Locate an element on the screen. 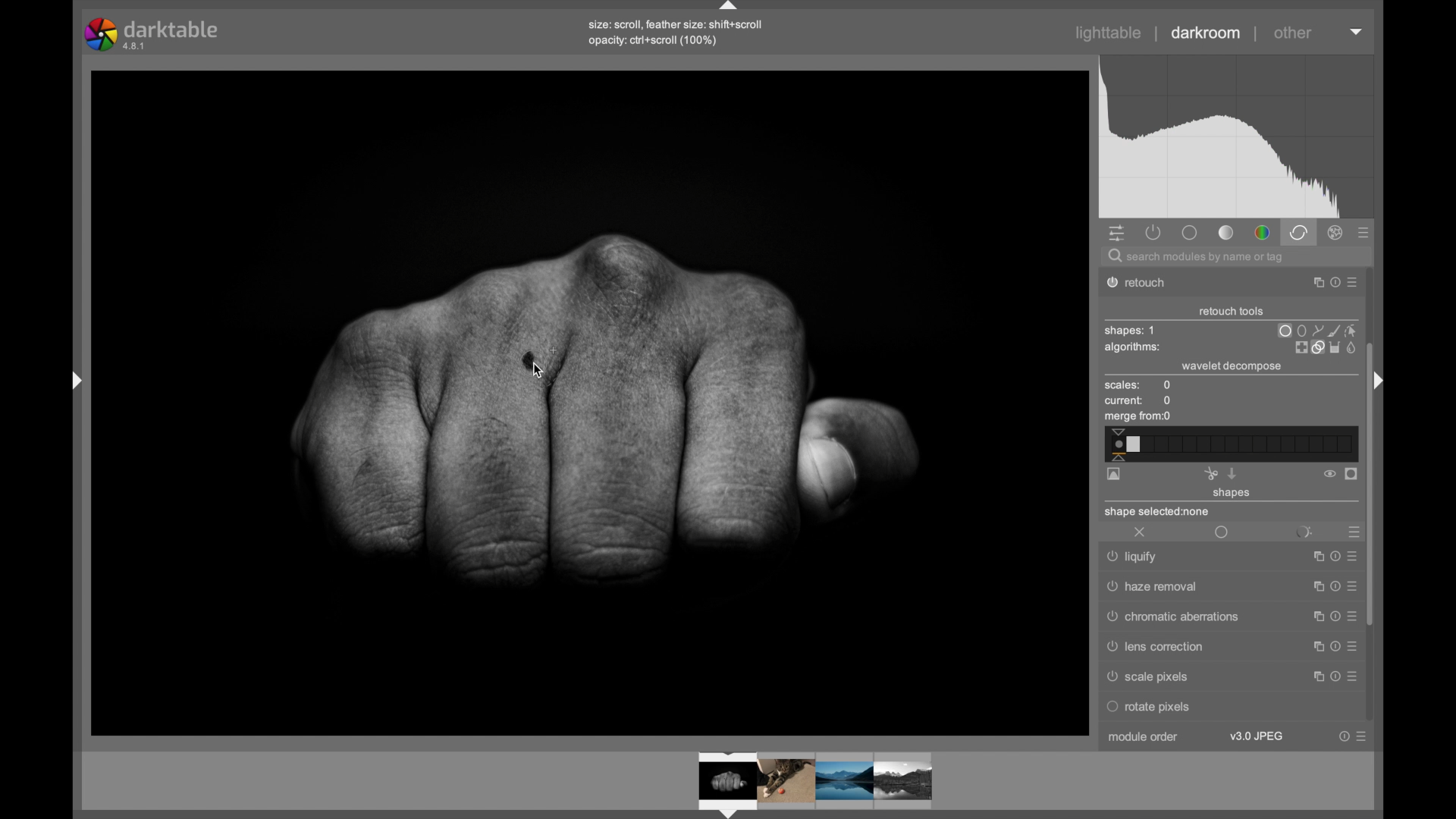  dropdown menu is located at coordinates (1357, 30).